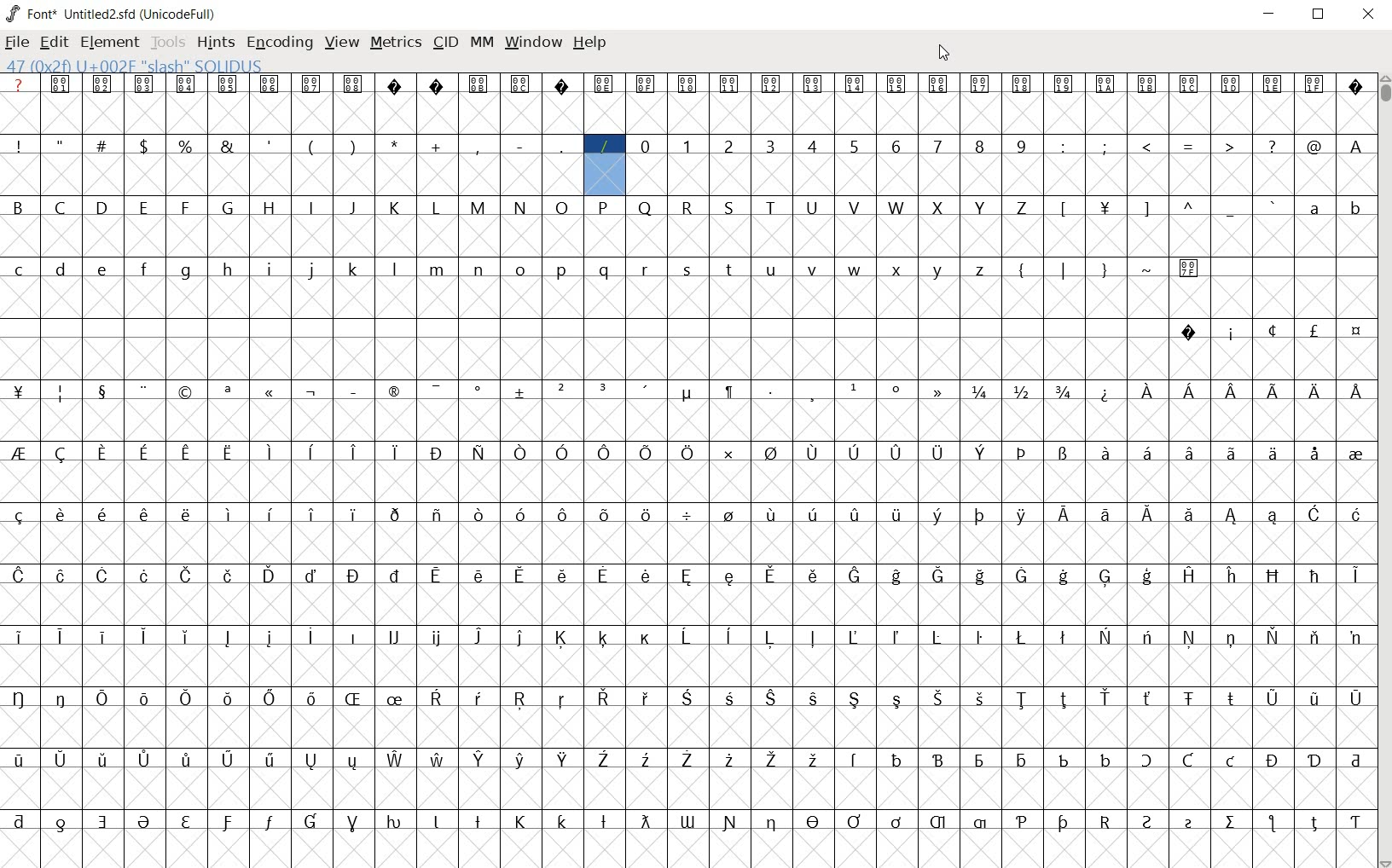 The width and height of the screenshot is (1392, 868). What do you see at coordinates (187, 514) in the screenshot?
I see `glyph` at bounding box center [187, 514].